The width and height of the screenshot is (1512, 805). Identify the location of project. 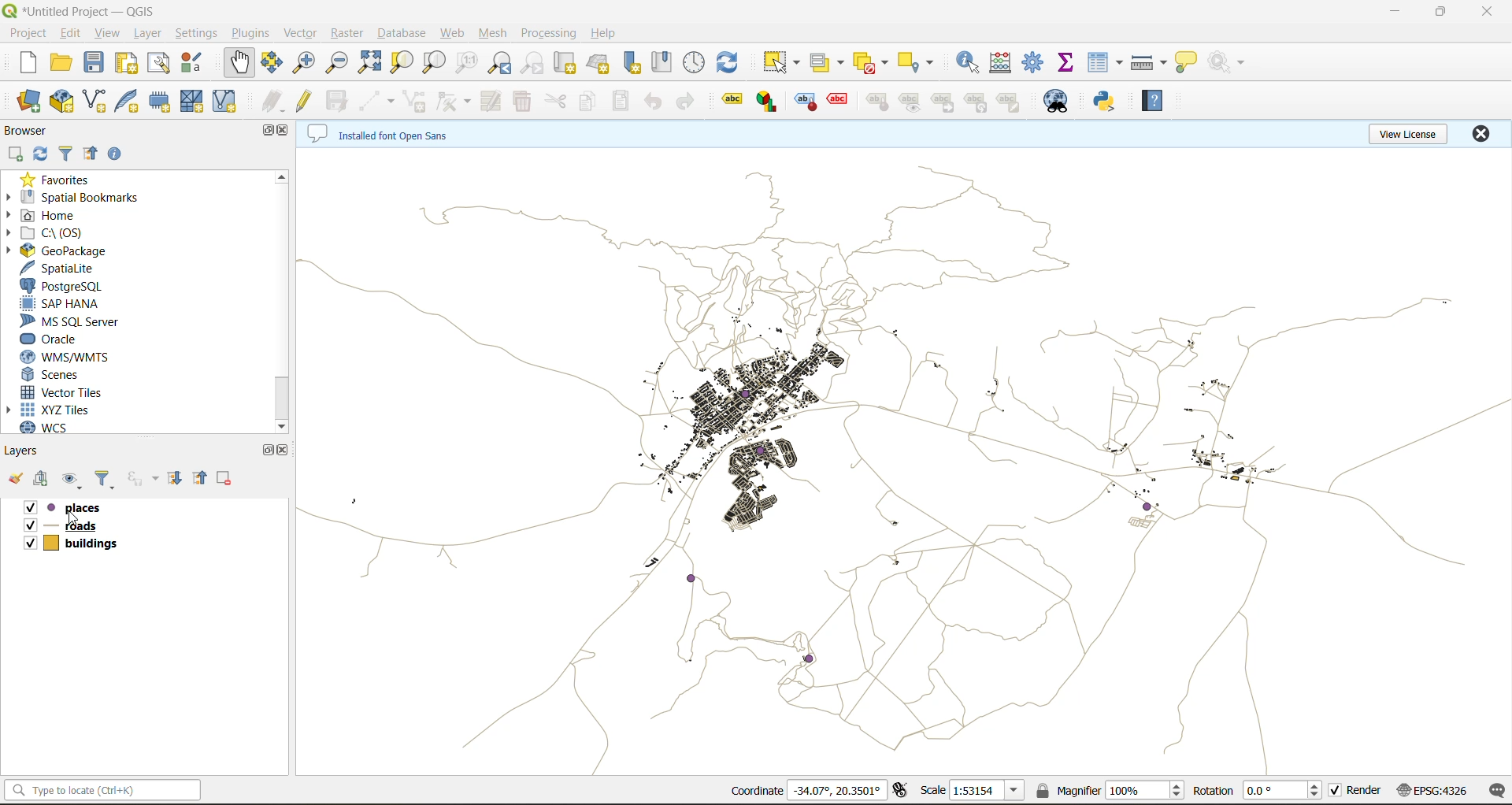
(28, 34).